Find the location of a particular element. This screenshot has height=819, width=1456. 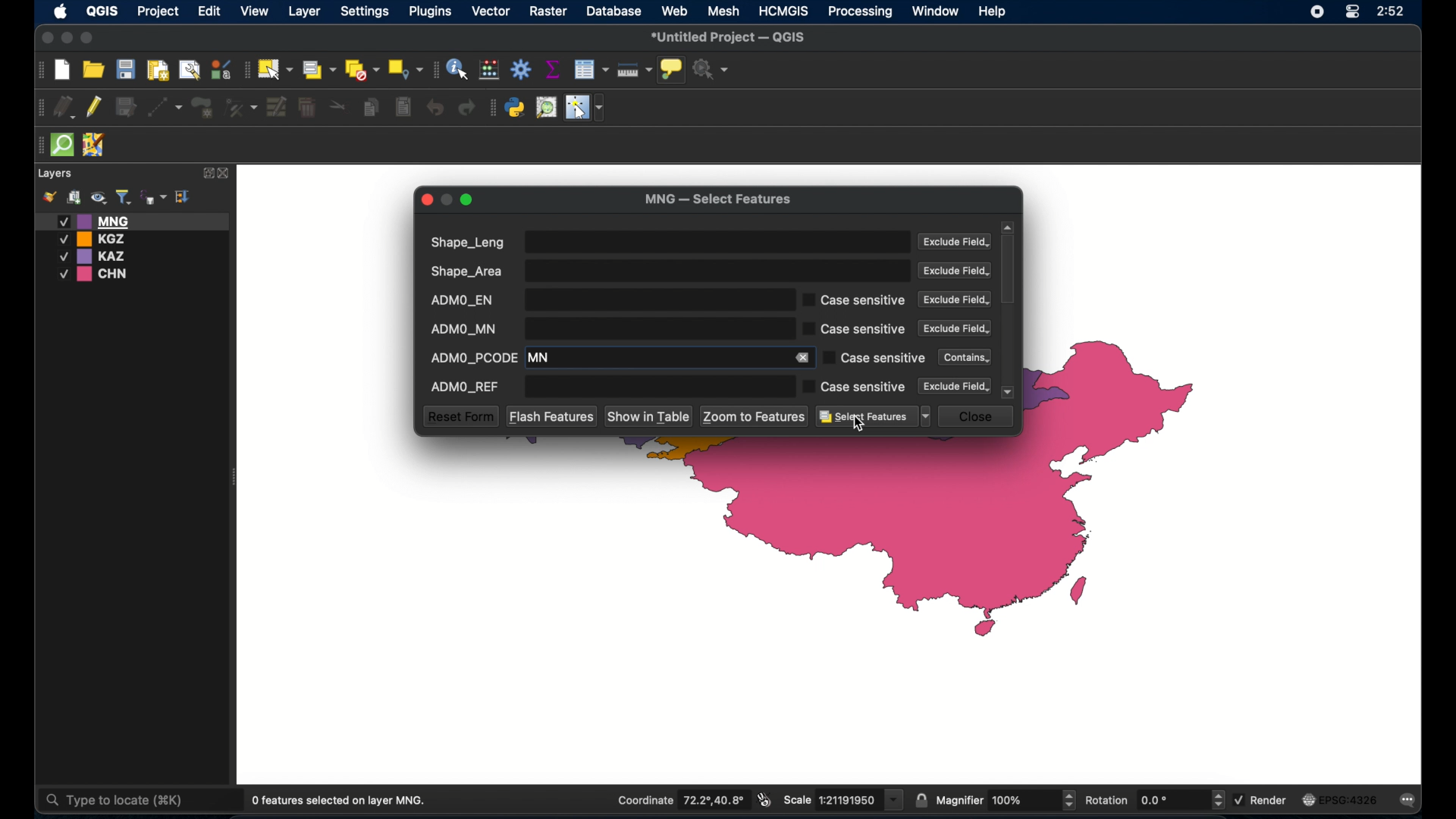

case sensitive is located at coordinates (873, 358).